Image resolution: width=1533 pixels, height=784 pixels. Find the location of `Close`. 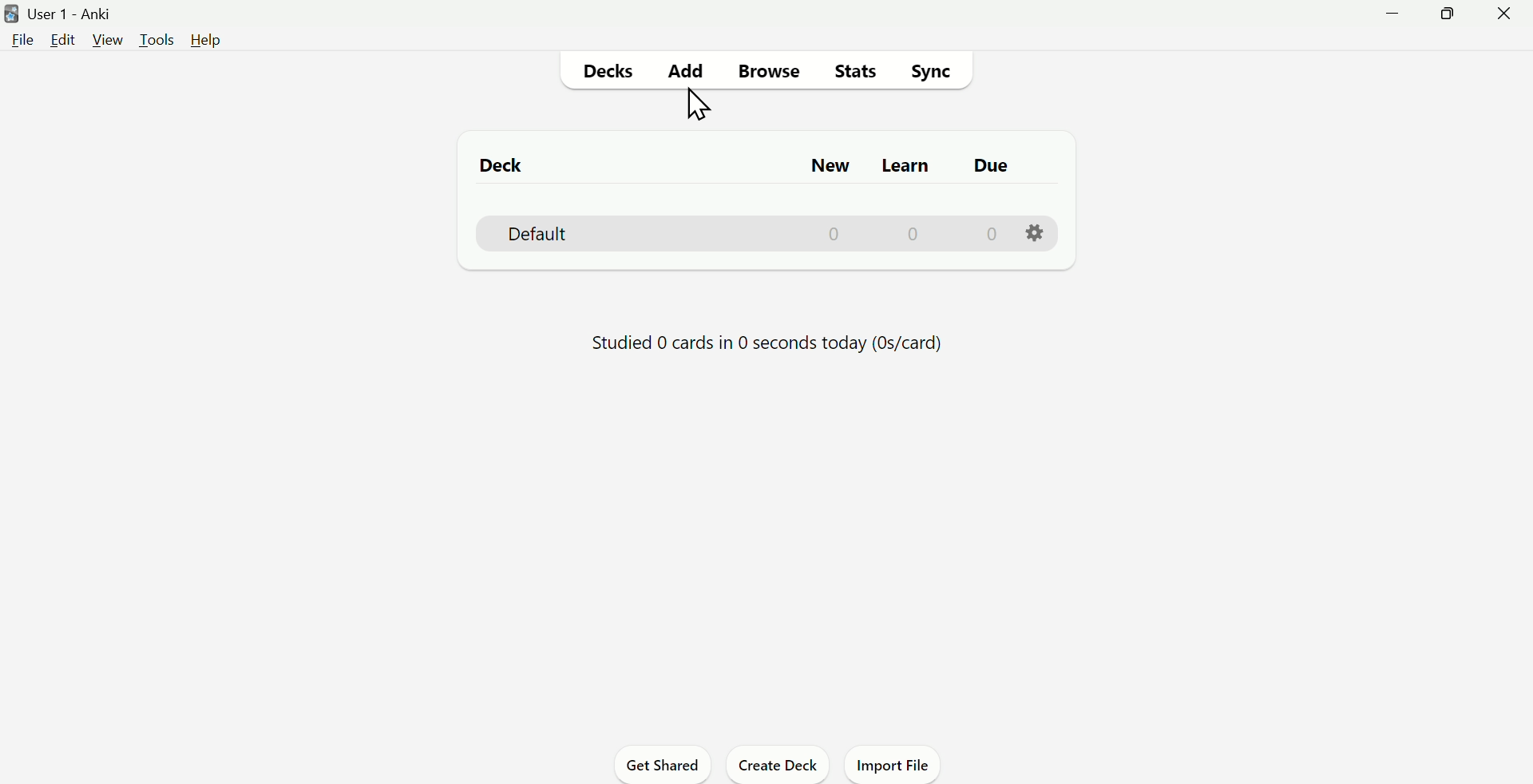

Close is located at coordinates (1504, 14).